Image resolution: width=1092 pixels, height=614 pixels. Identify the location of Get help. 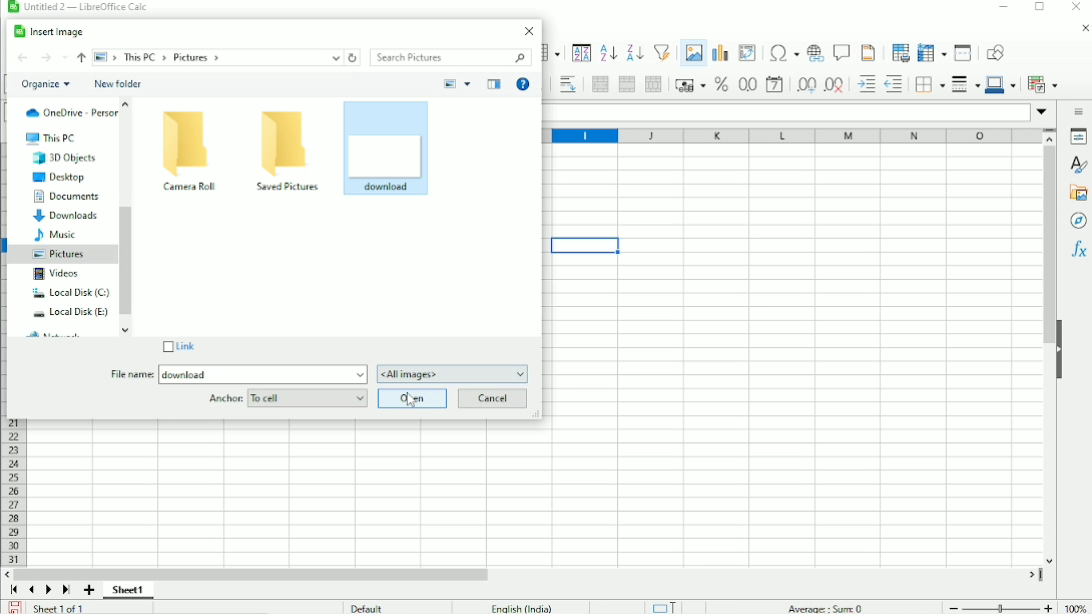
(523, 85).